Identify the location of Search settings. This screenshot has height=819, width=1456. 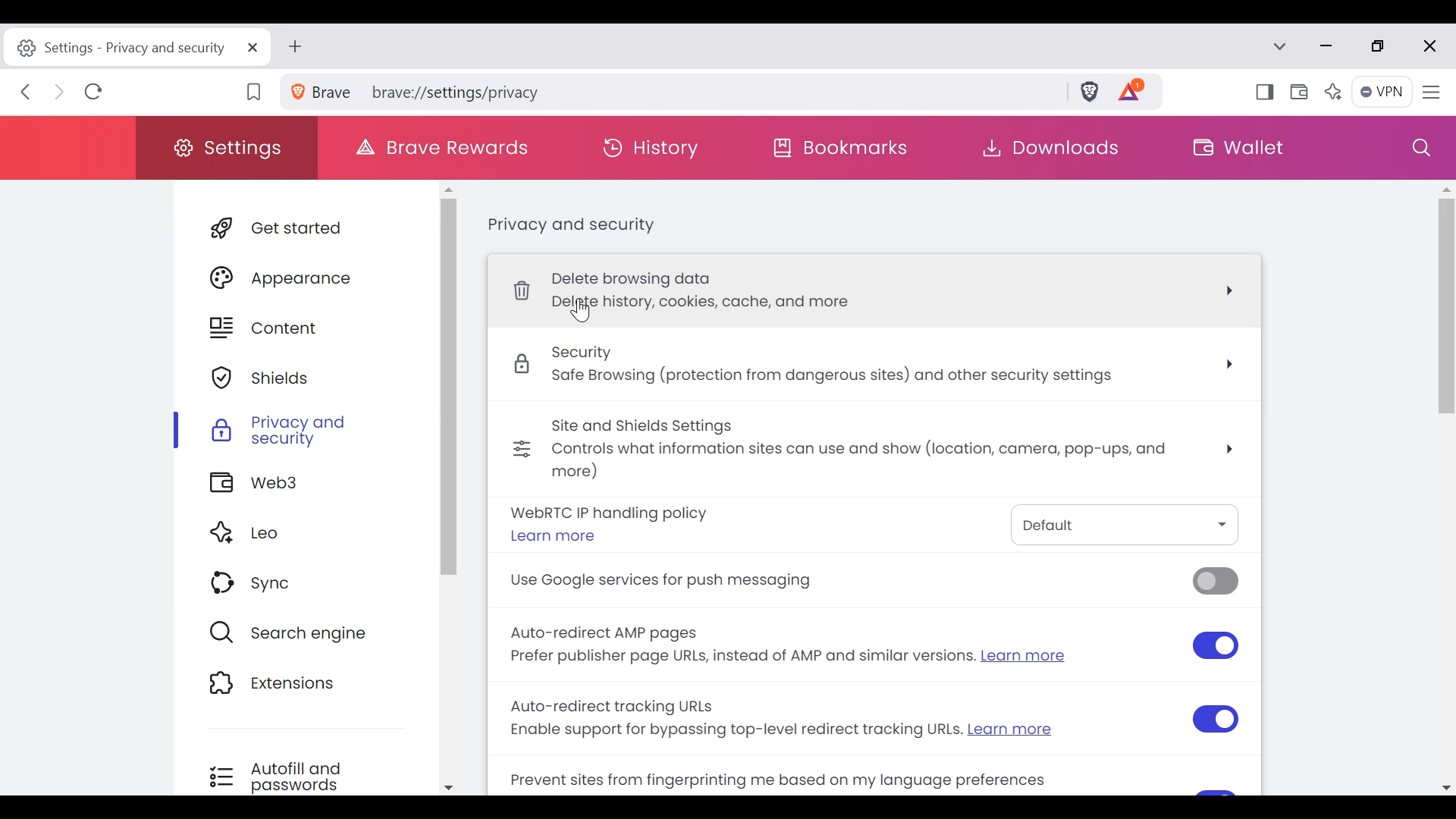
(1420, 148).